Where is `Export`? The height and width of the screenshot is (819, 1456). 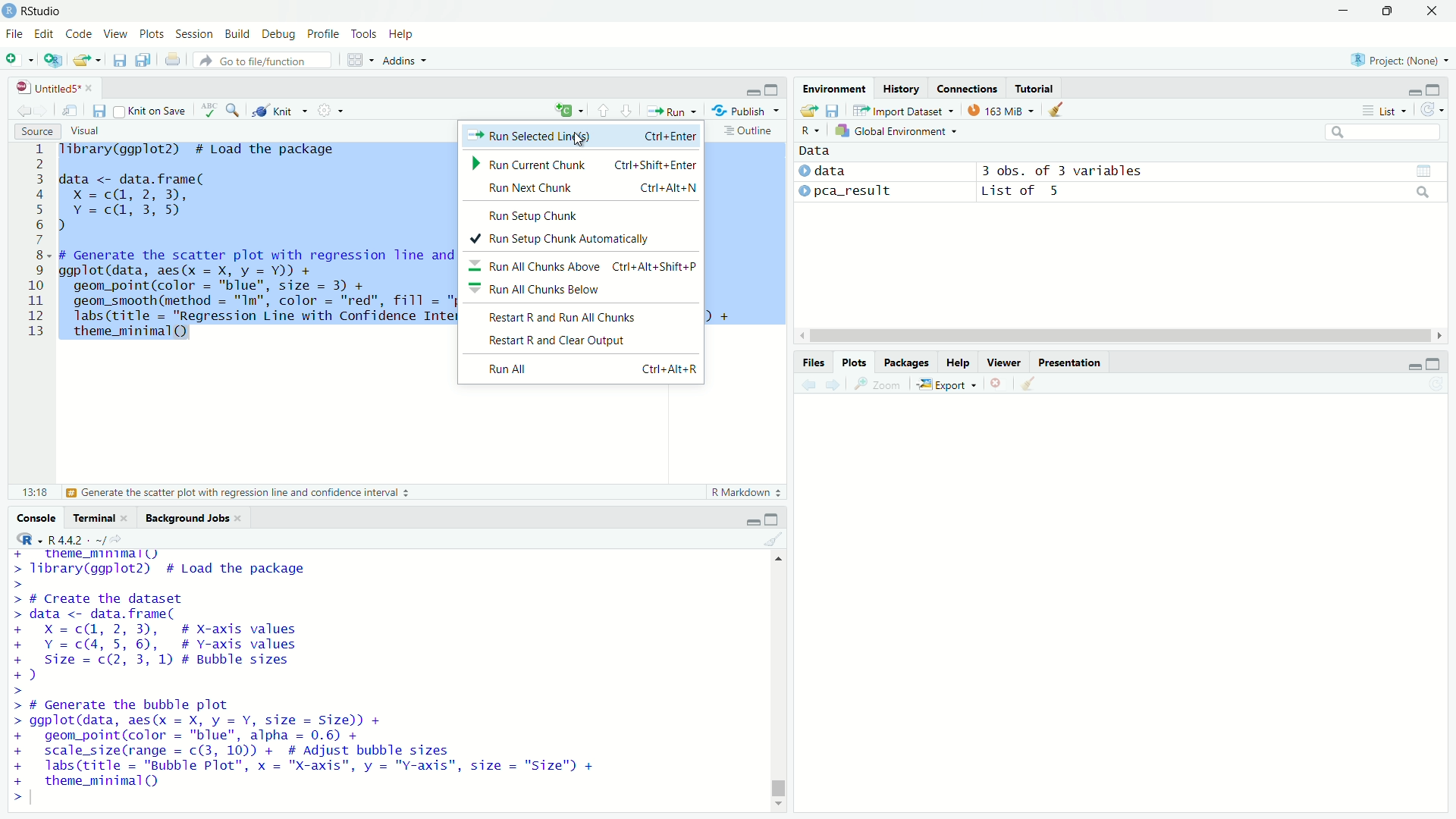 Export is located at coordinates (948, 384).